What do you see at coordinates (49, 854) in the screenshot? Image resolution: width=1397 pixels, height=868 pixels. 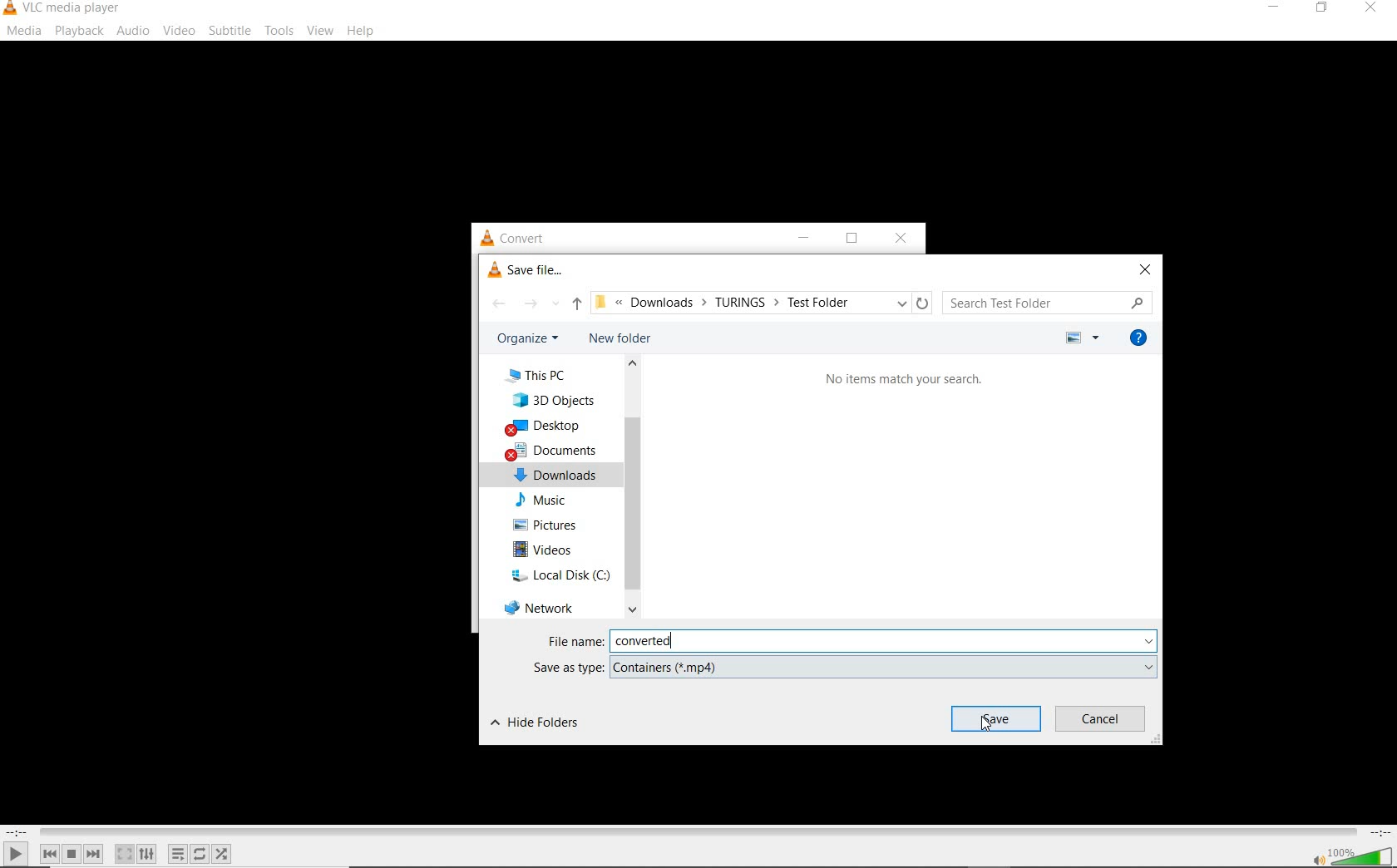 I see `previous media` at bounding box center [49, 854].